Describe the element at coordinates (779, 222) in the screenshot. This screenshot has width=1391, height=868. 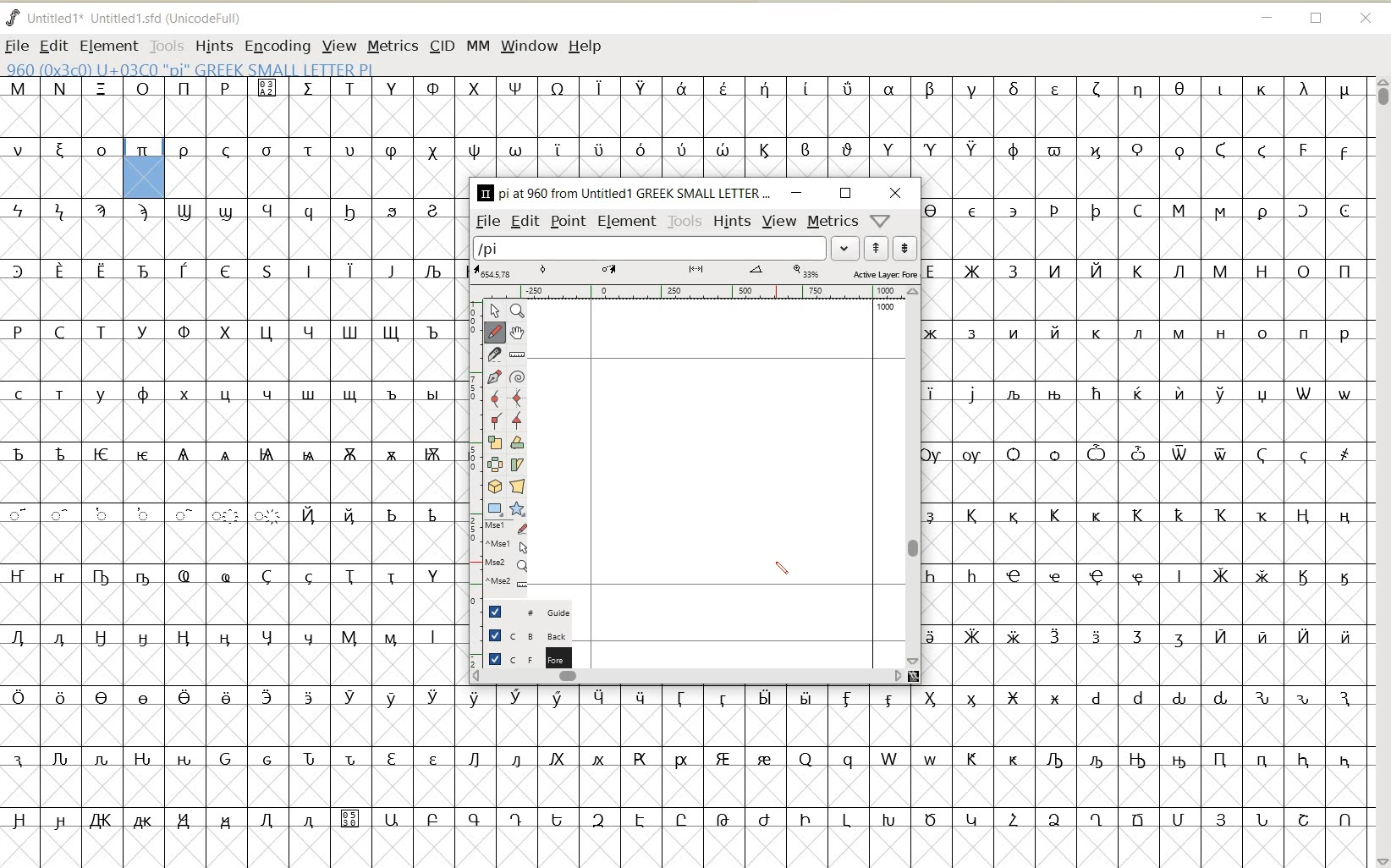
I see `VIEW` at that location.